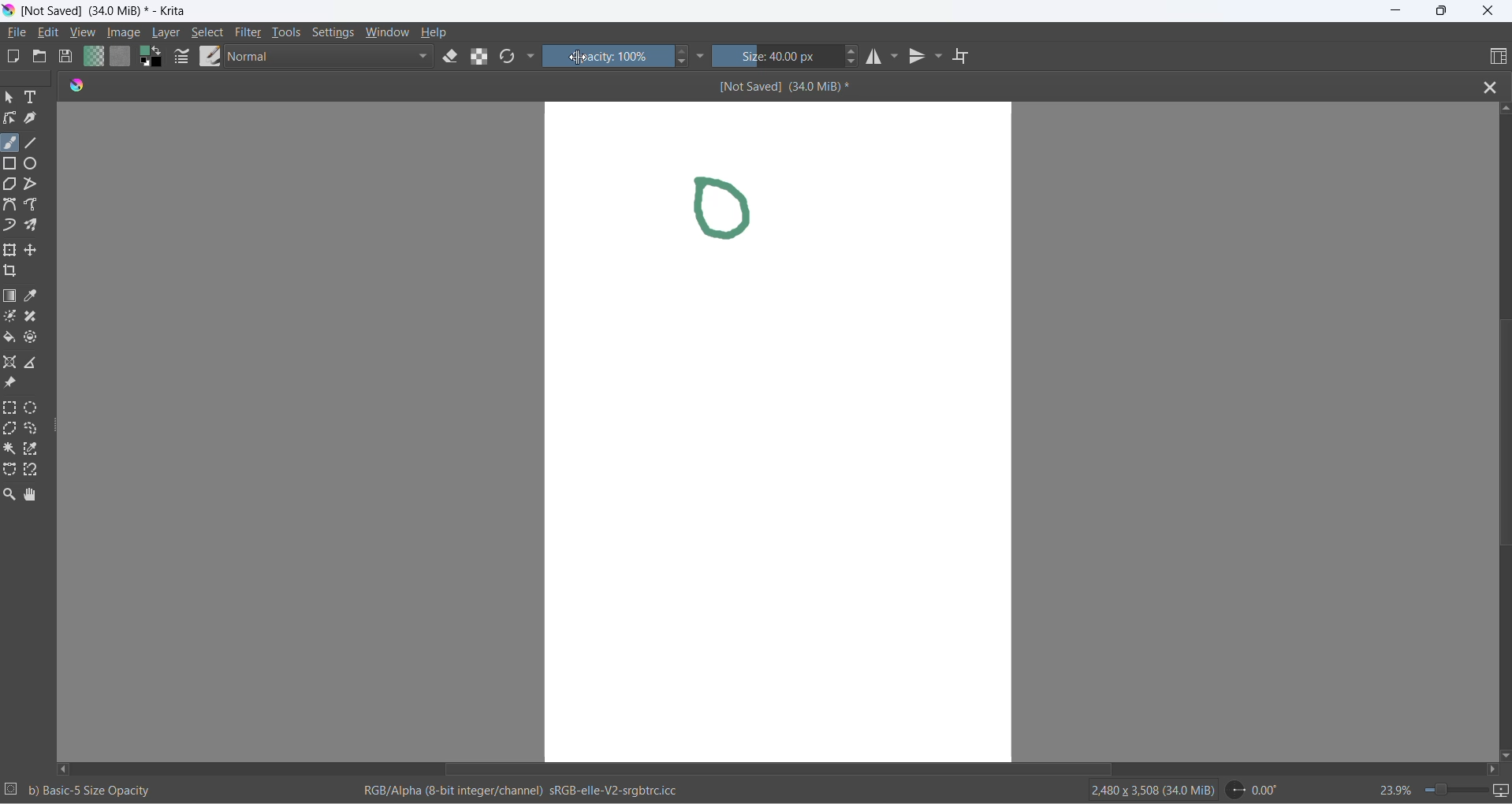 This screenshot has height=804, width=1512. What do you see at coordinates (12, 362) in the screenshot?
I see `assistant tool` at bounding box center [12, 362].